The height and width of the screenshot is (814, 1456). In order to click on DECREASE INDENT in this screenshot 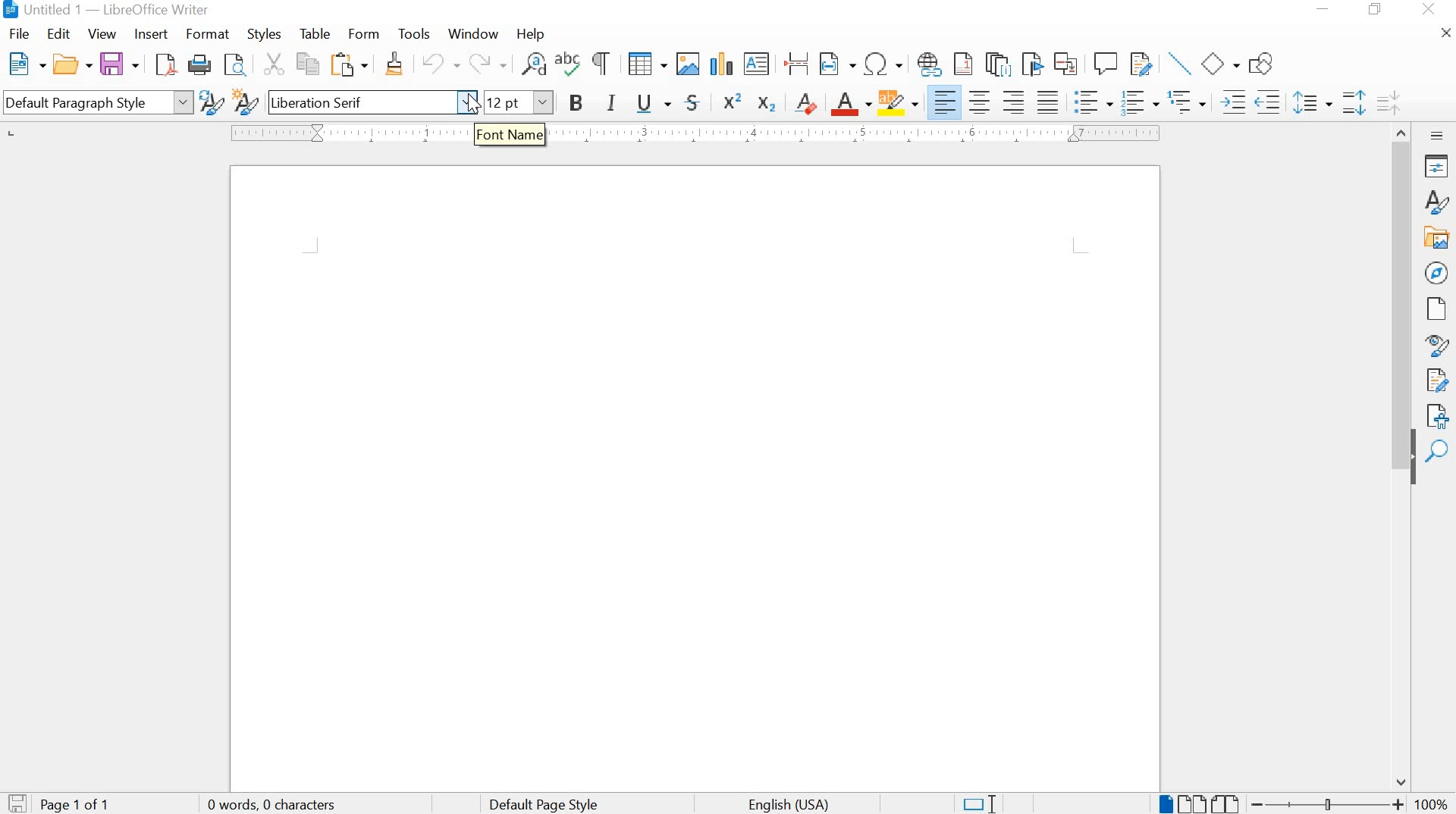, I will do `click(1269, 101)`.